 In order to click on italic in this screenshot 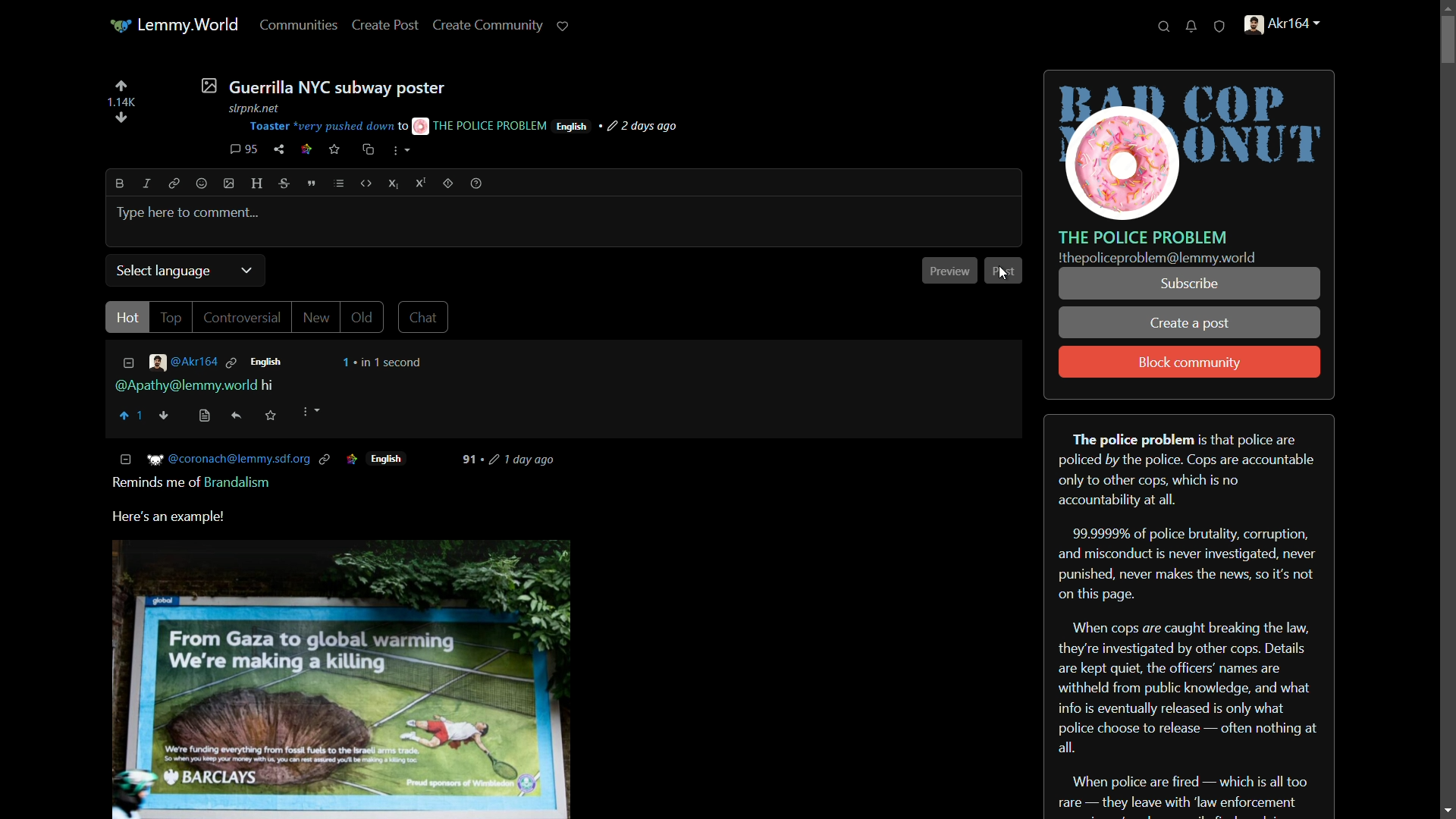, I will do `click(145, 183)`.